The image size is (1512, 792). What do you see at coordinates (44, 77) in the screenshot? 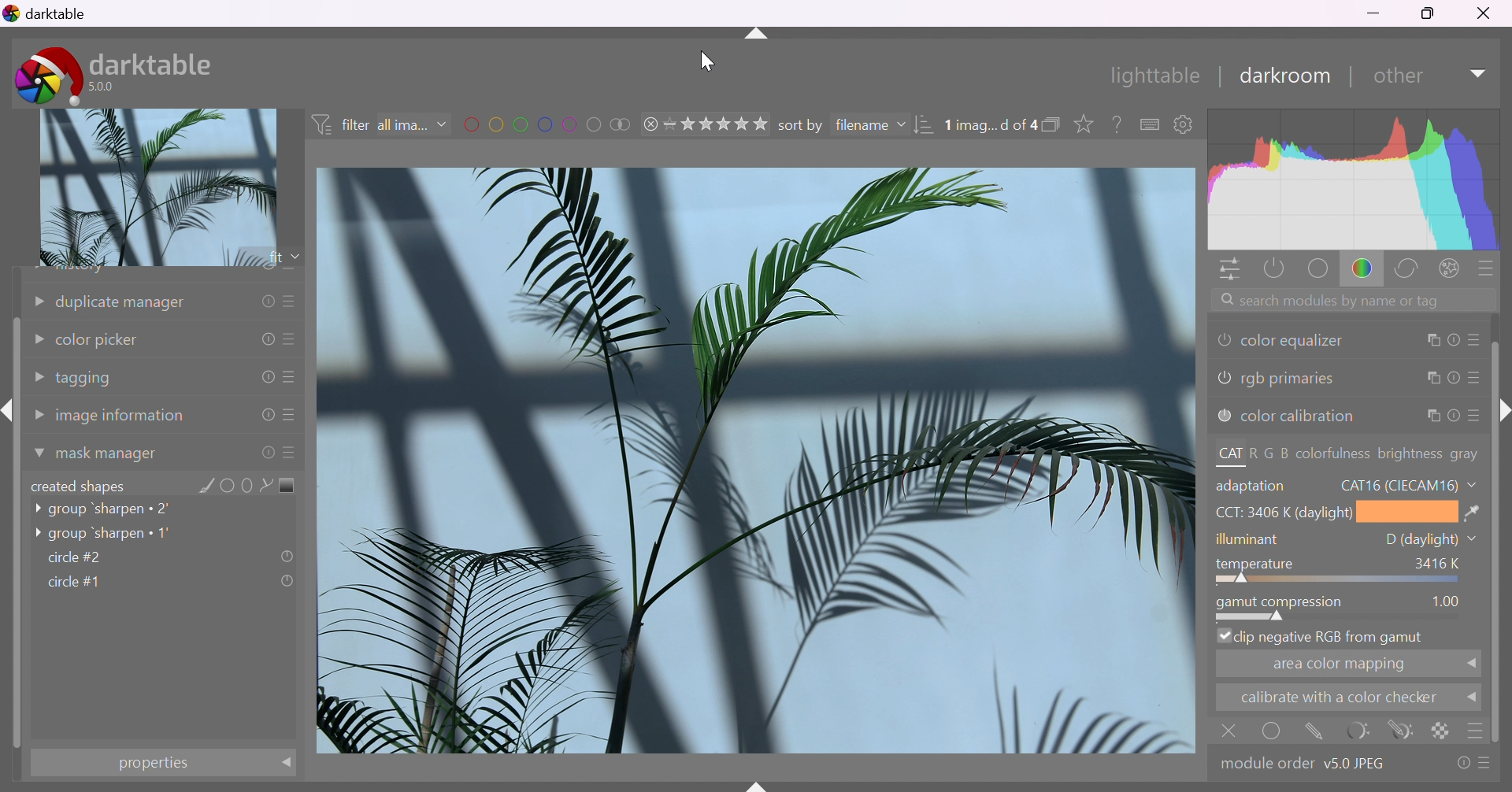
I see `darktable icon` at bounding box center [44, 77].